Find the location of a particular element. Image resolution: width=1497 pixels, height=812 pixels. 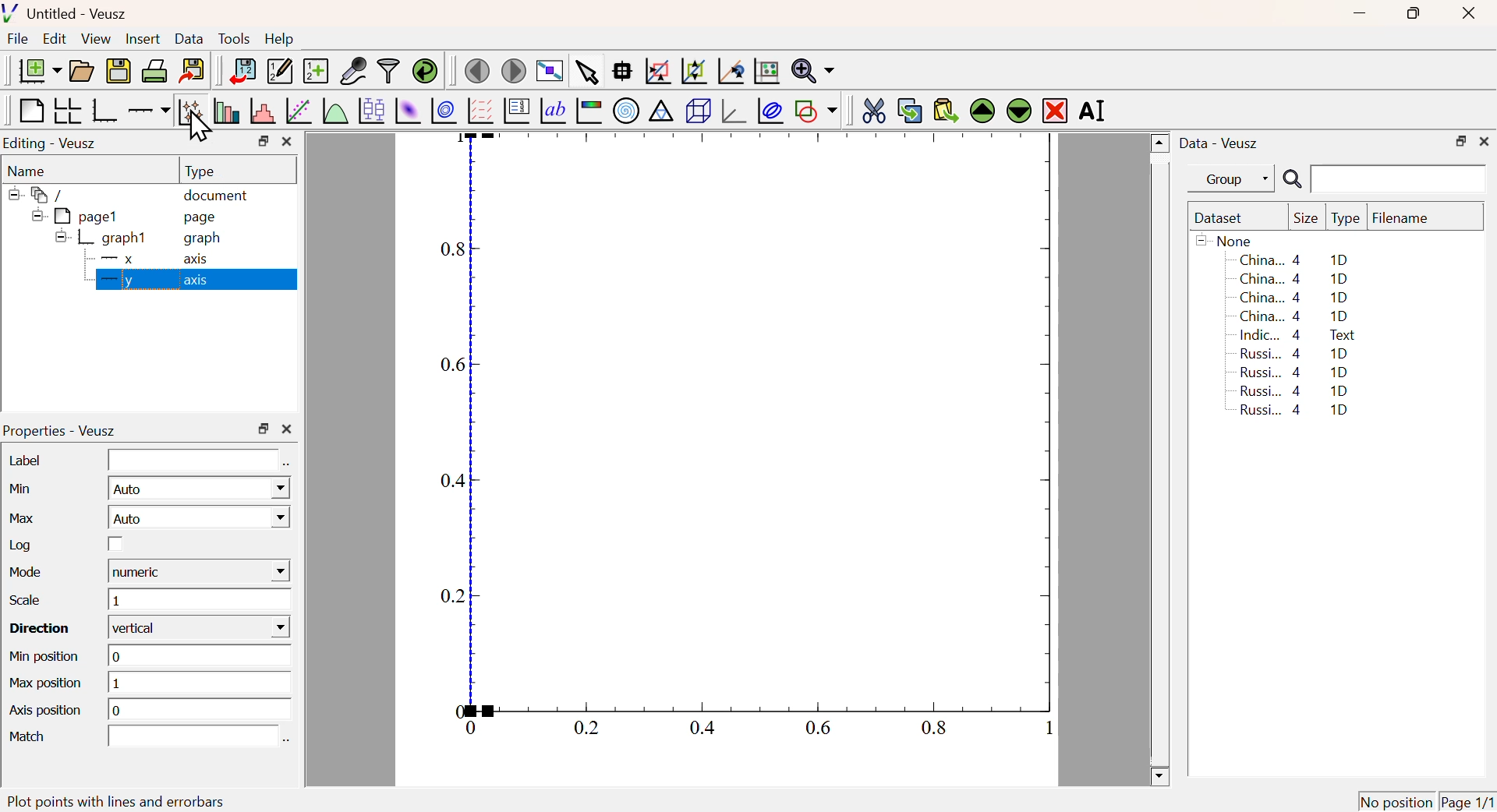

X axis is located at coordinates (147, 257).